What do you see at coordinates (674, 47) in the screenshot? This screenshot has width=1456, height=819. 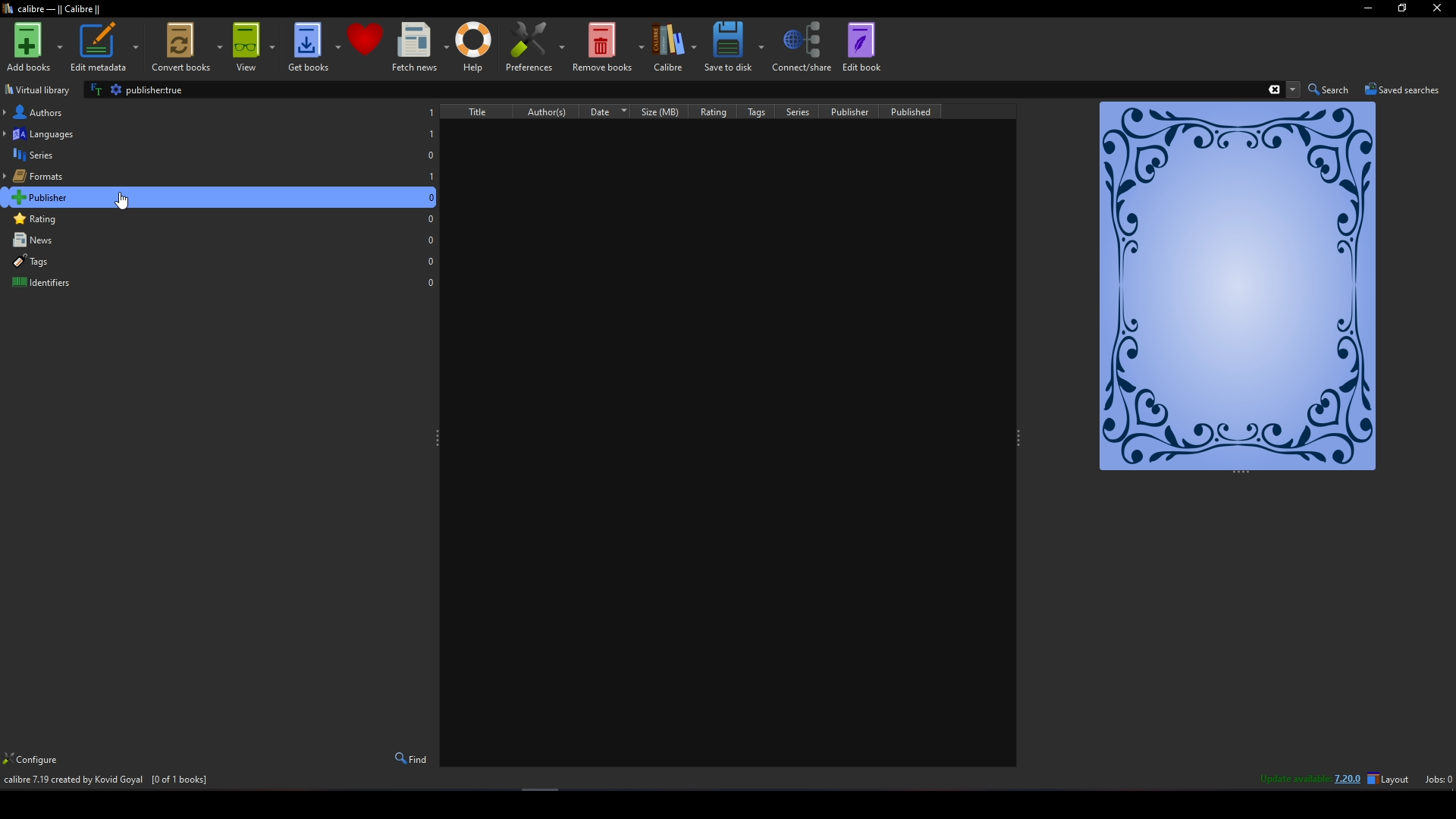 I see `Calibre` at bounding box center [674, 47].